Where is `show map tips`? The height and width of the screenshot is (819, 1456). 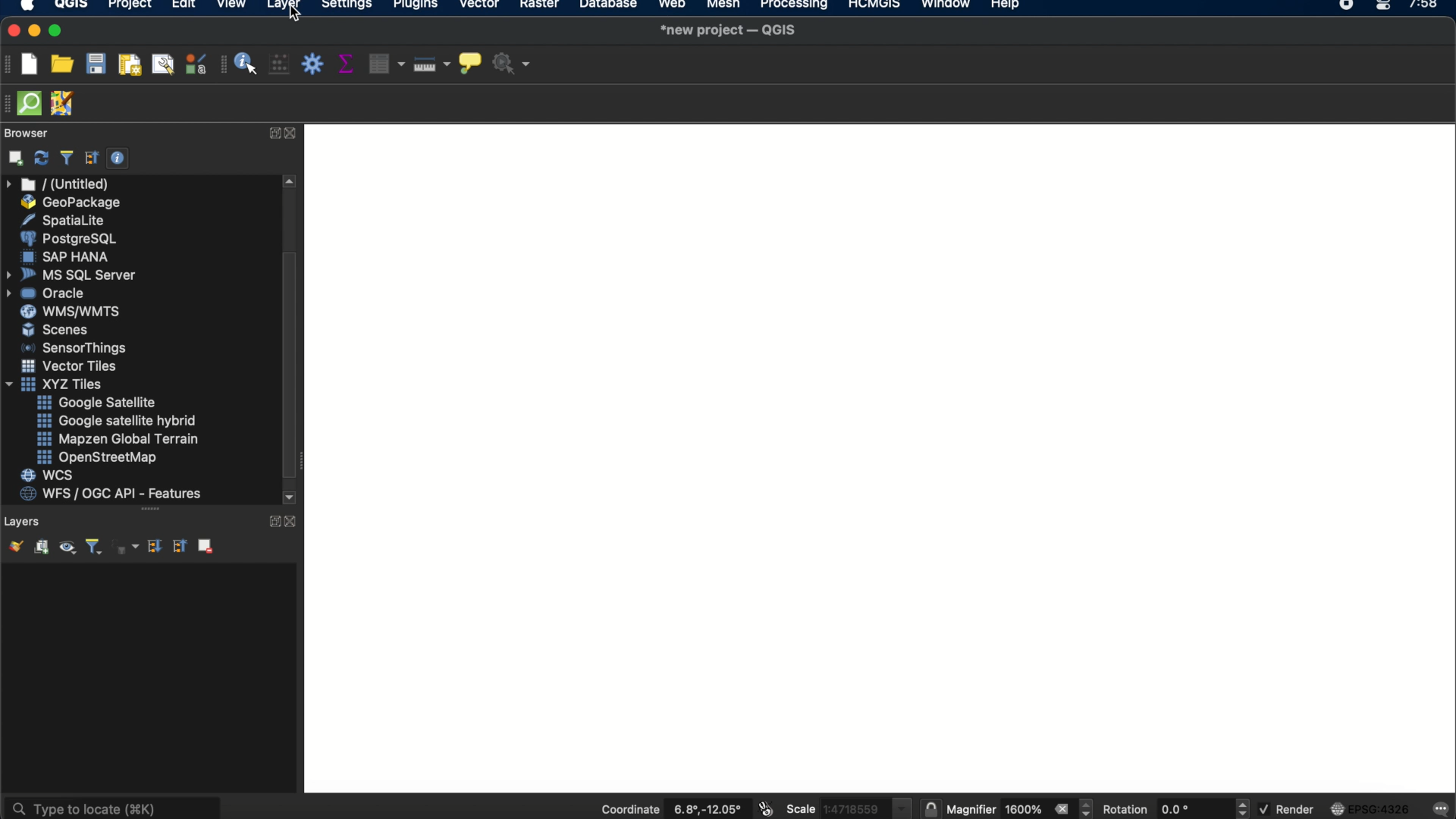
show map tips is located at coordinates (469, 62).